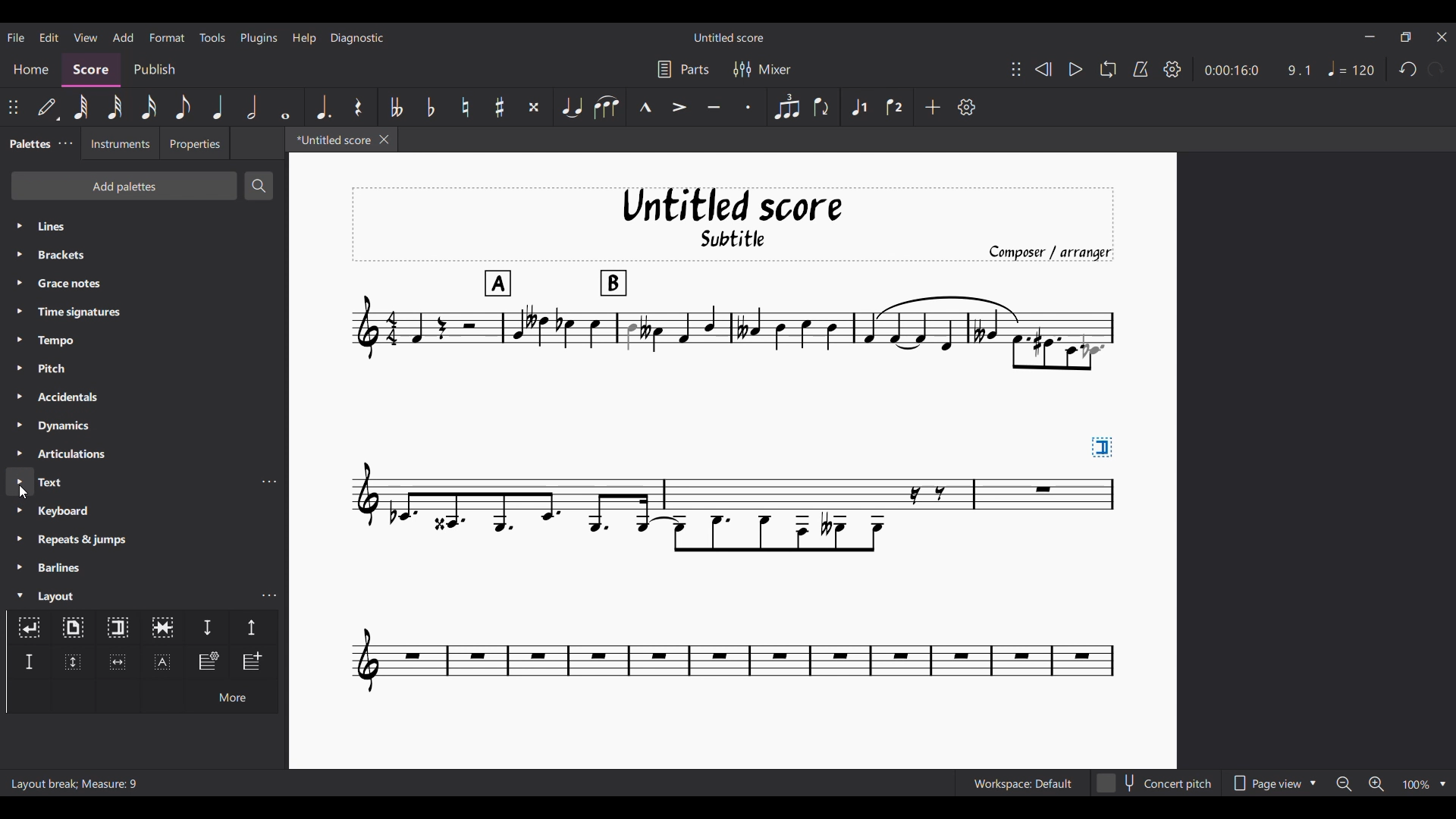  Describe the element at coordinates (466, 107) in the screenshot. I see `Toggle natural` at that location.